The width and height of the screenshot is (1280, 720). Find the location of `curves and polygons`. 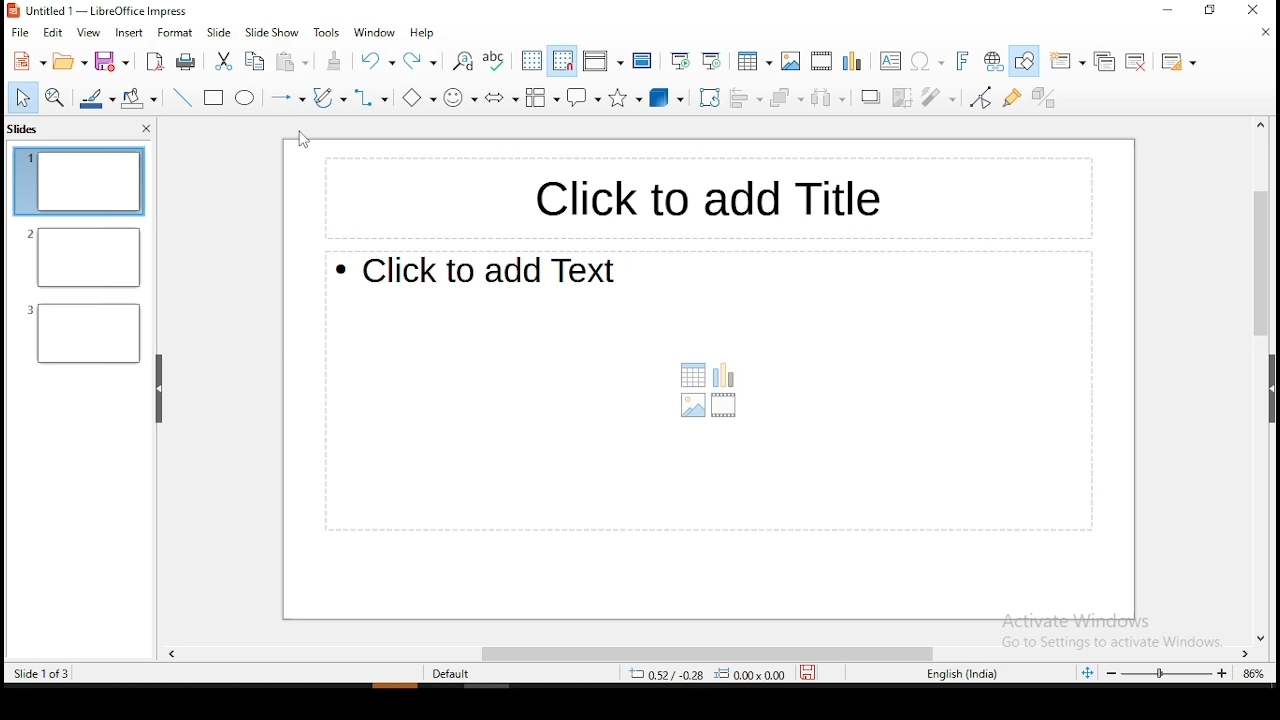

curves and polygons is located at coordinates (328, 98).